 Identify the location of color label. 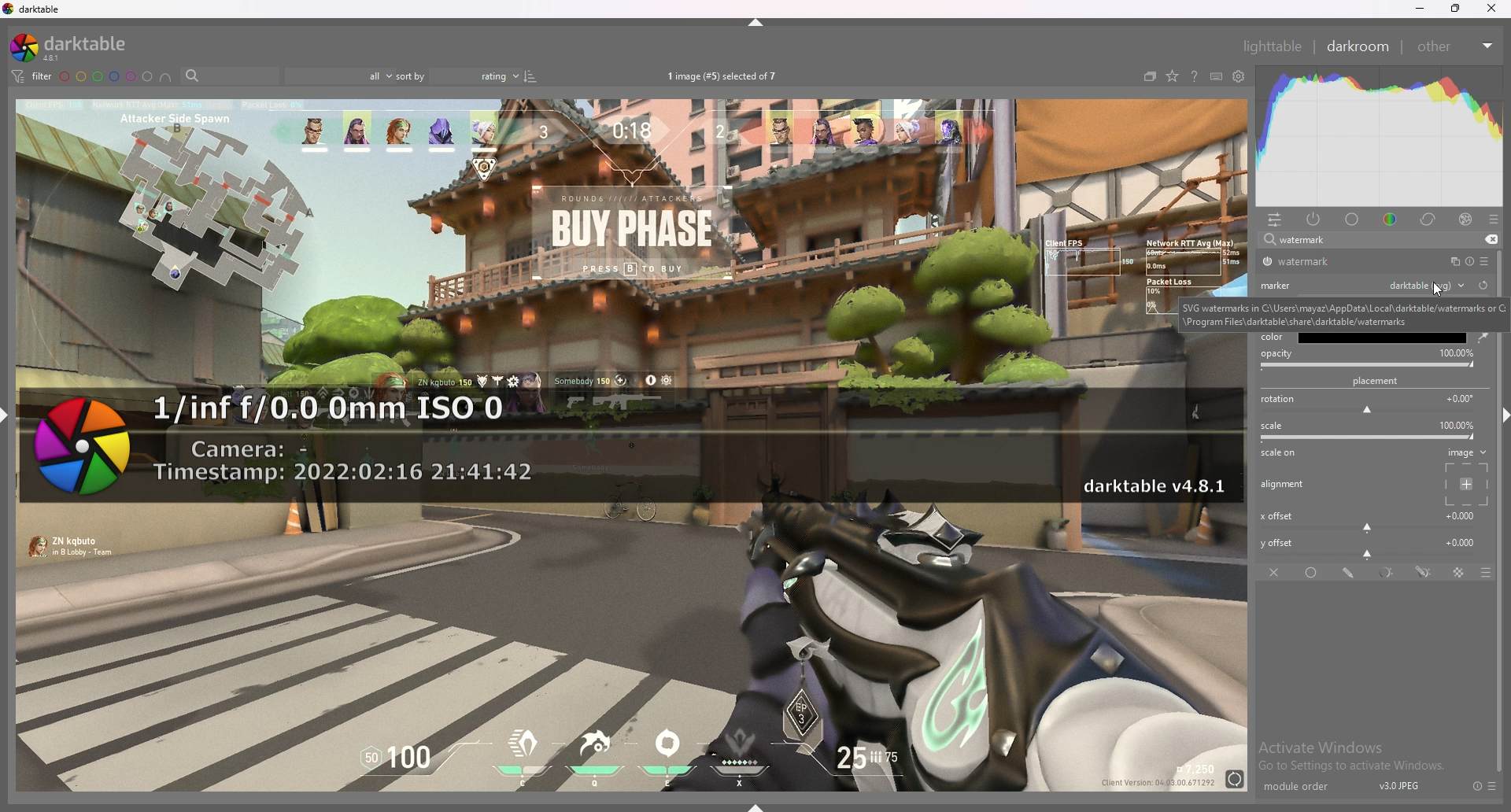
(107, 76).